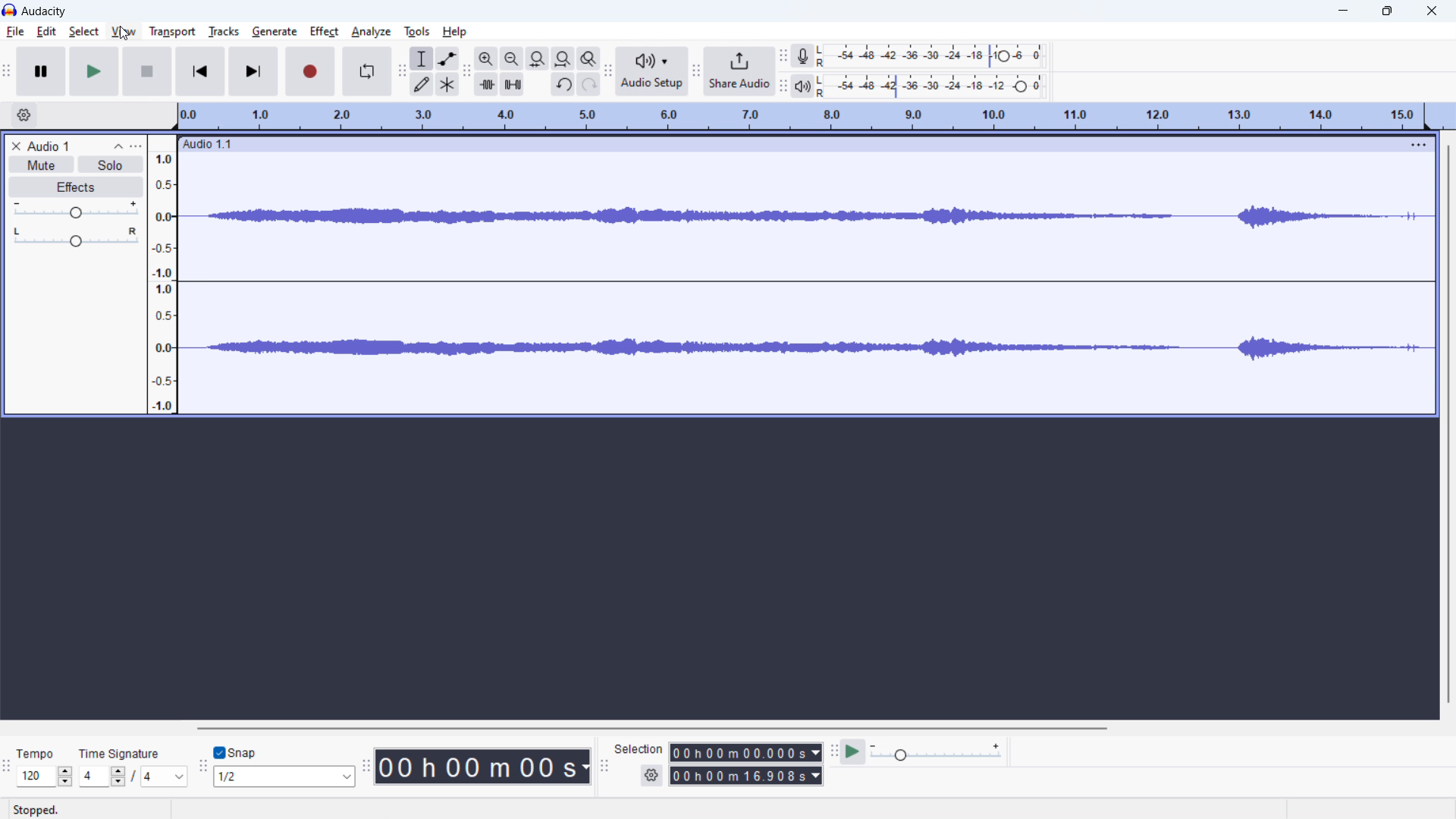 This screenshot has height=819, width=1456. I want to click on envelop tool, so click(447, 58).